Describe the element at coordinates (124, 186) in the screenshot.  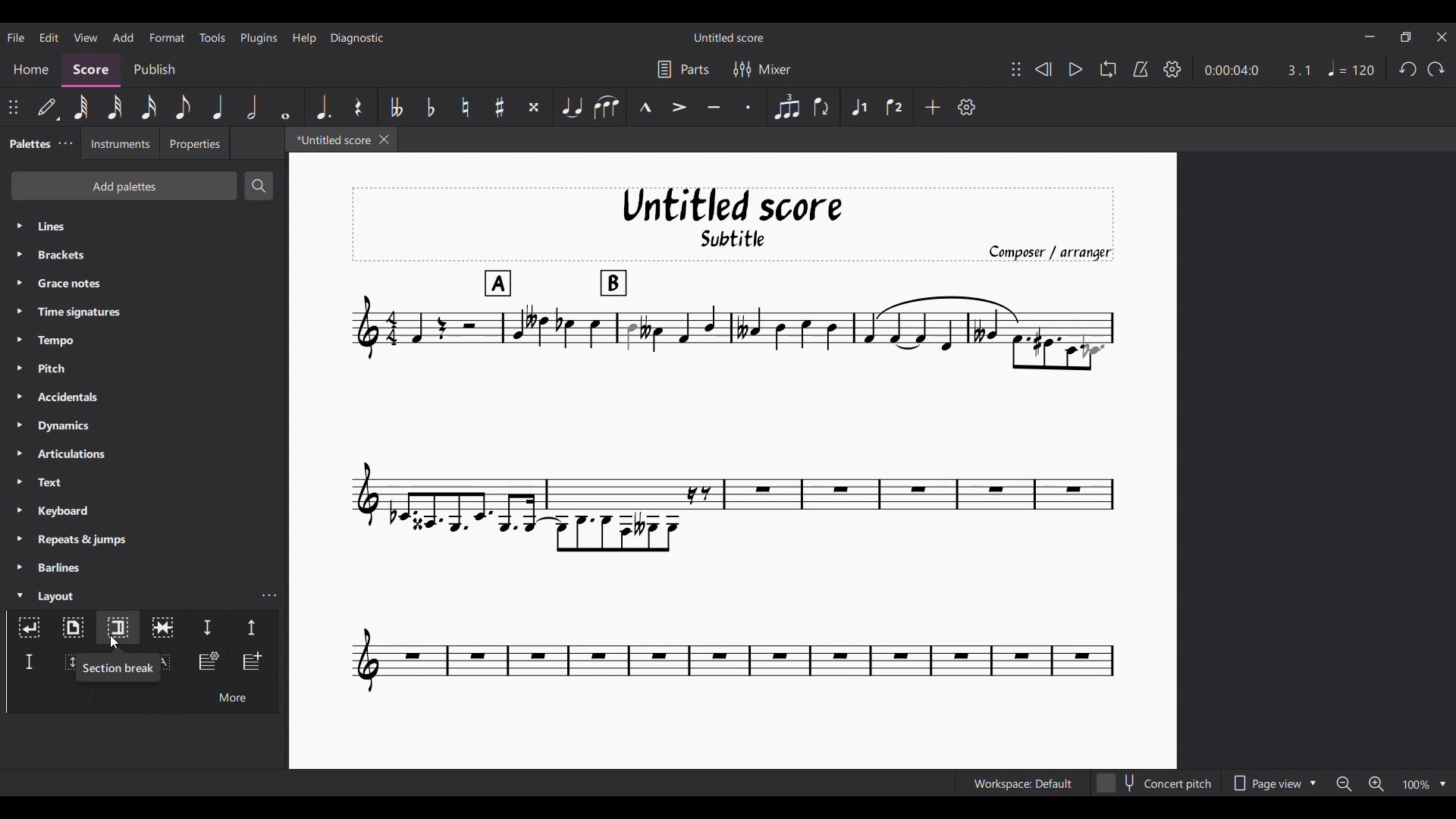
I see `Add palettes` at that location.